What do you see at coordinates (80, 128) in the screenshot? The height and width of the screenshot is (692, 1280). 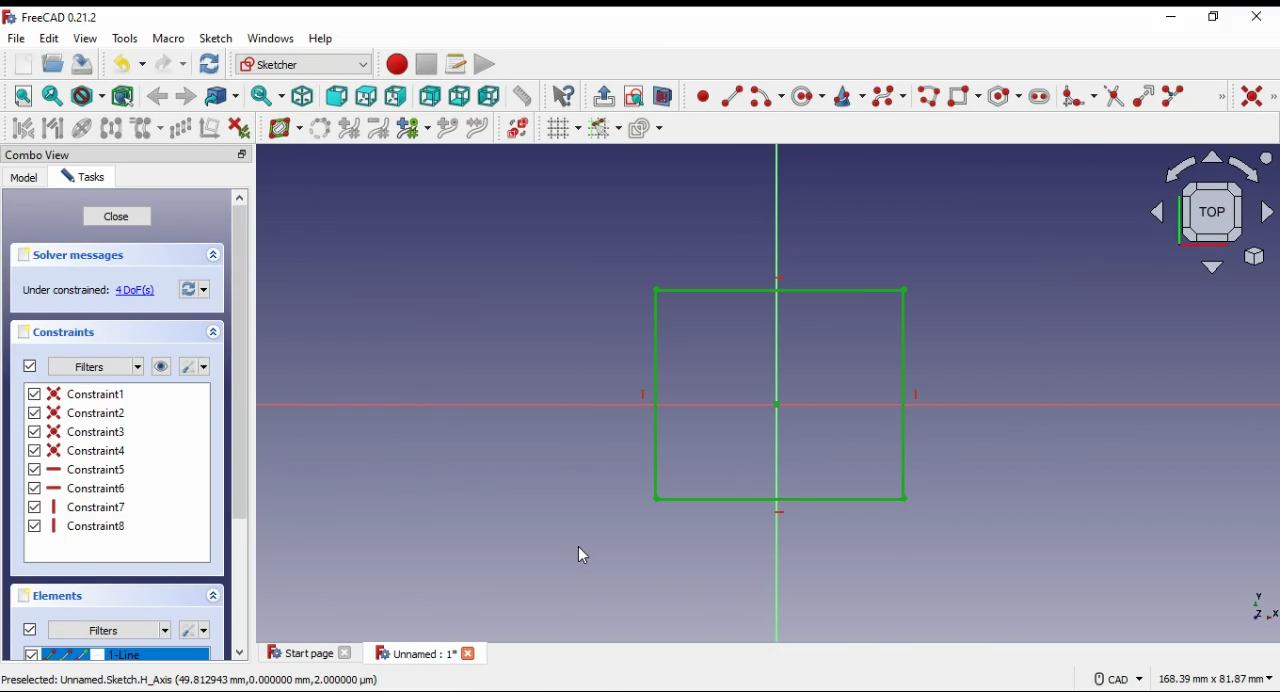 I see `show hide internal geometry` at bounding box center [80, 128].